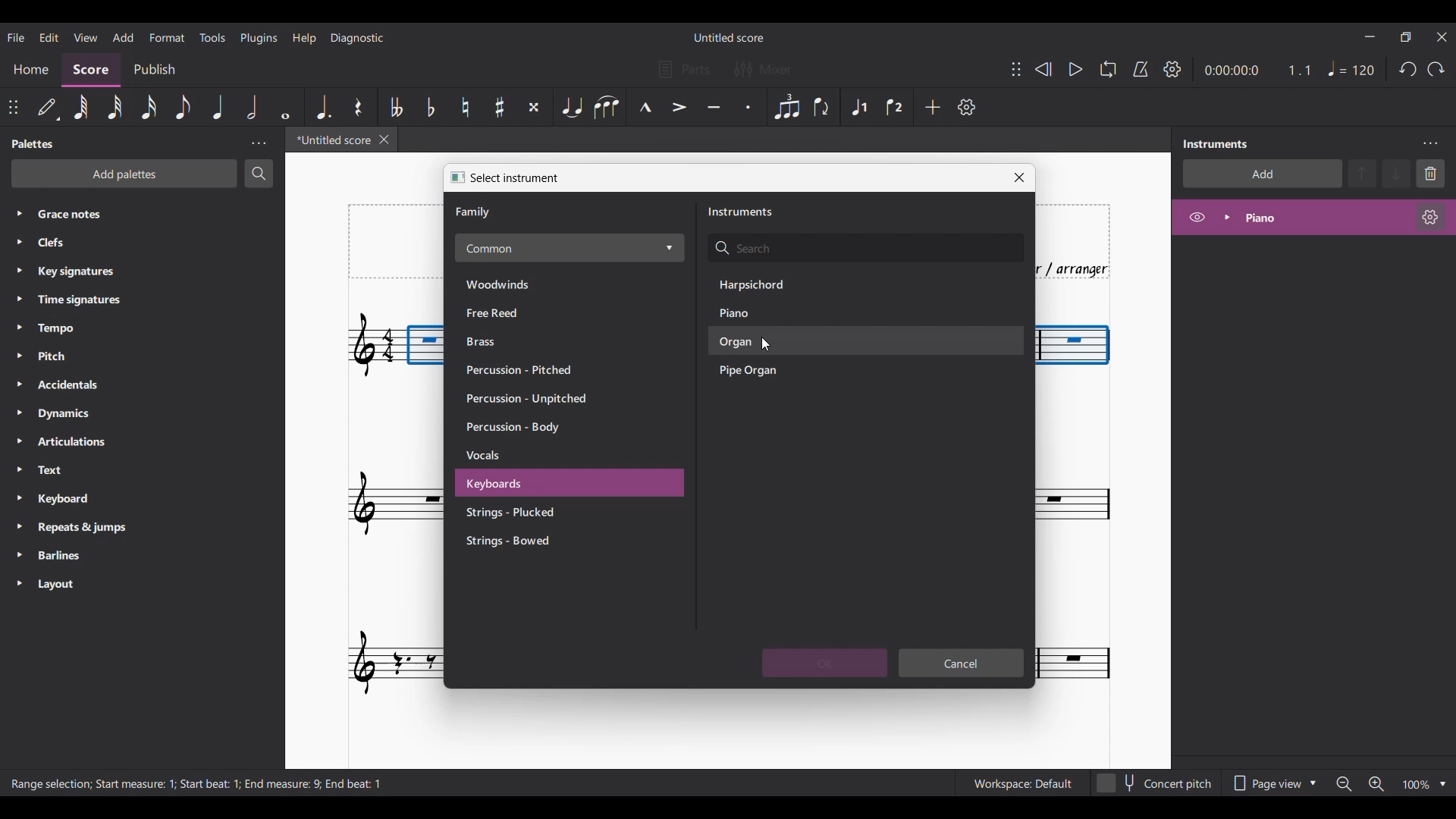 The image size is (1456, 819). Describe the element at coordinates (500, 106) in the screenshot. I see `Toggle sharp` at that location.